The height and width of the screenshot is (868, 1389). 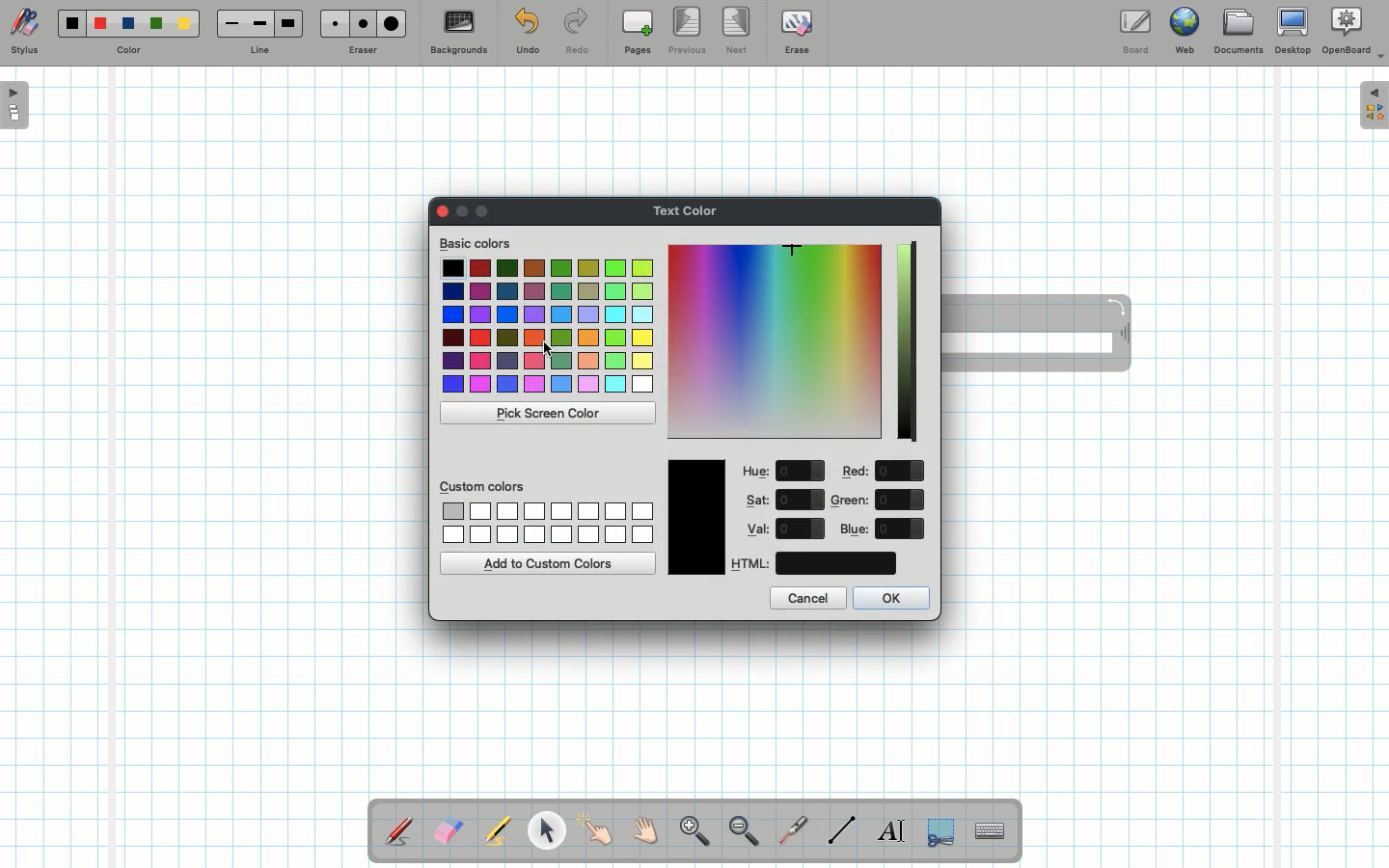 What do you see at coordinates (1295, 31) in the screenshot?
I see `Desktop` at bounding box center [1295, 31].